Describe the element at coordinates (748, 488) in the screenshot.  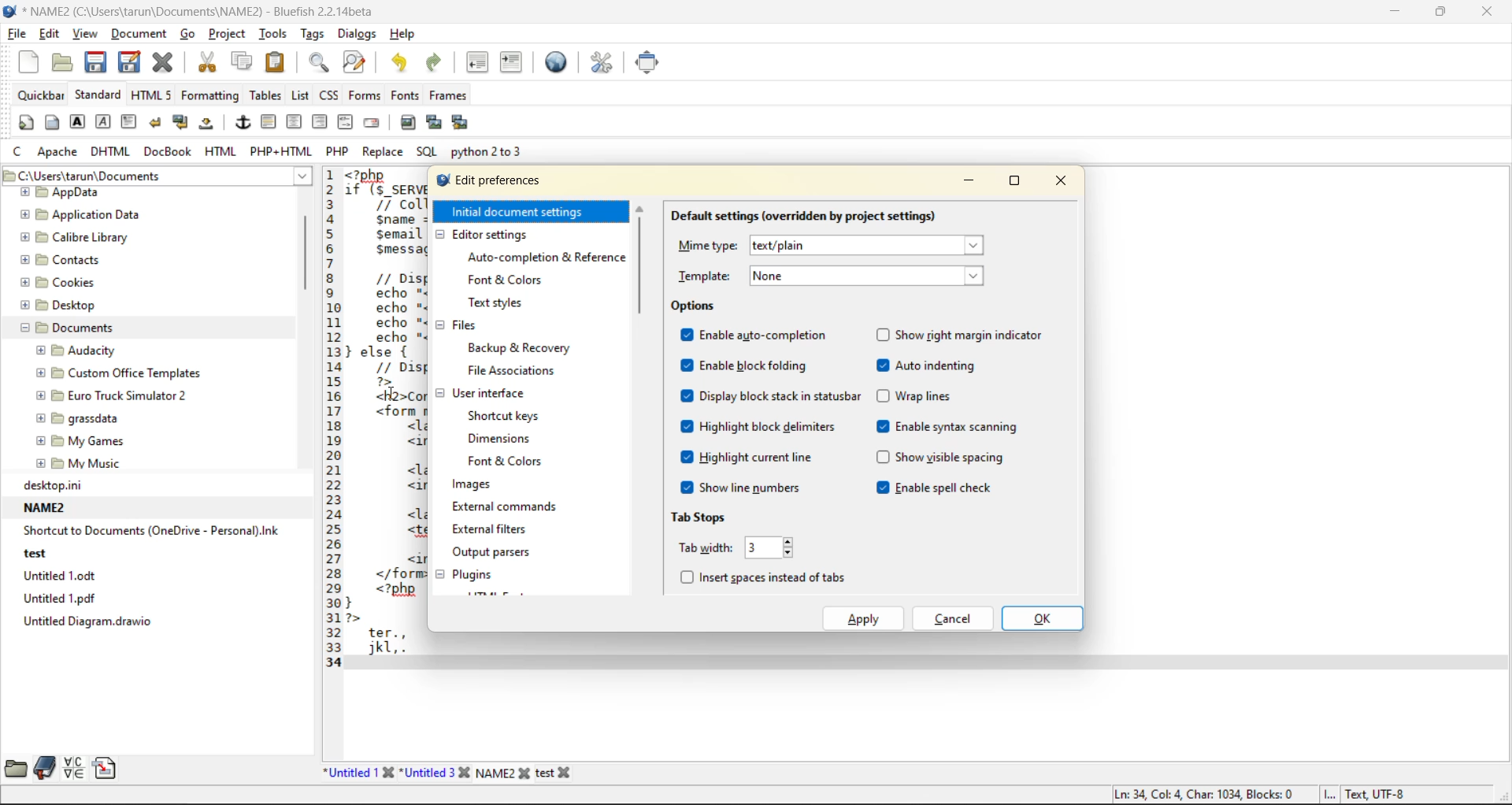
I see `show line numbers` at that location.